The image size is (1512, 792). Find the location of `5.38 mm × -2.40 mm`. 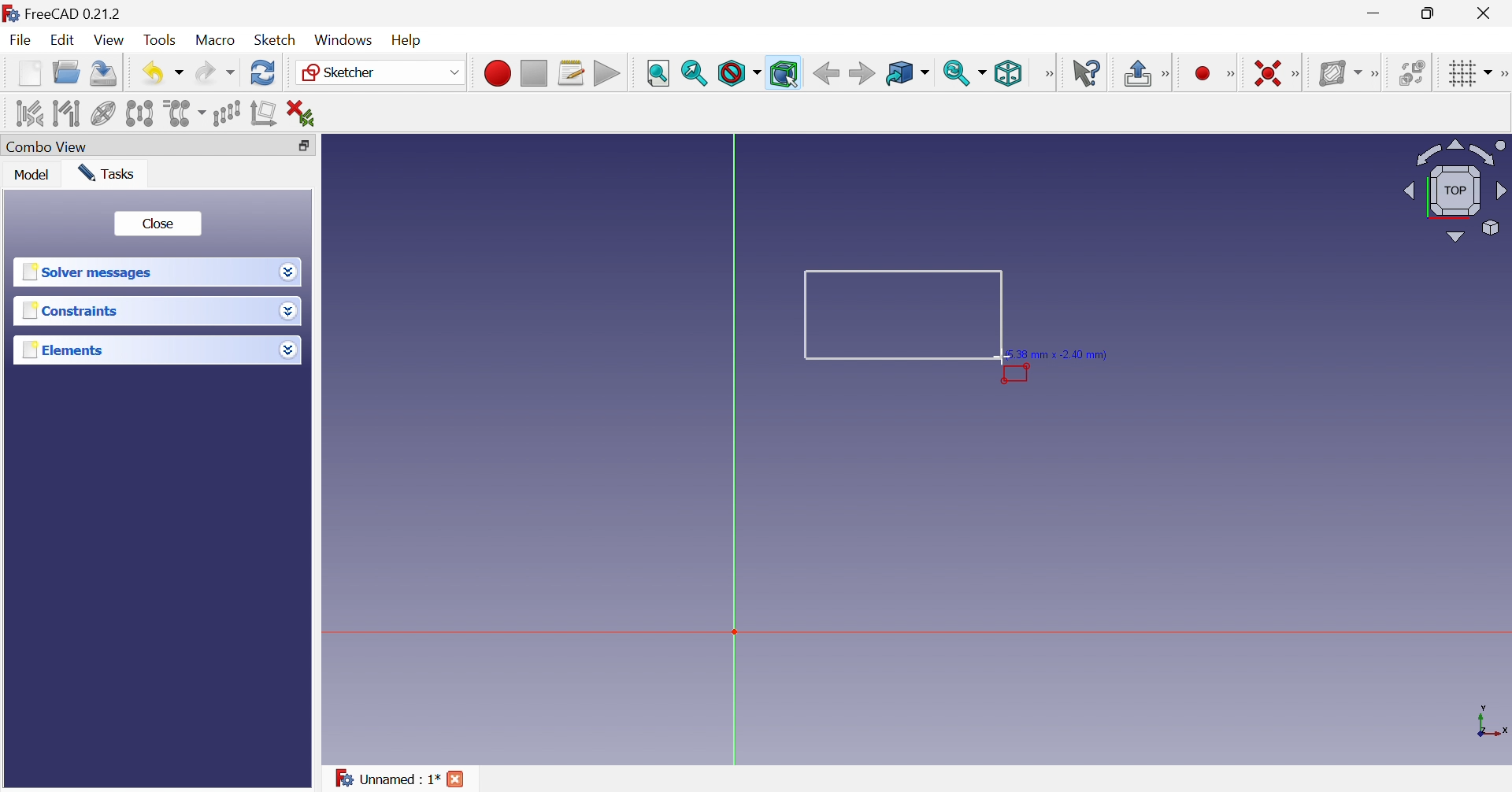

5.38 mm × -2.40 mm is located at coordinates (1057, 356).